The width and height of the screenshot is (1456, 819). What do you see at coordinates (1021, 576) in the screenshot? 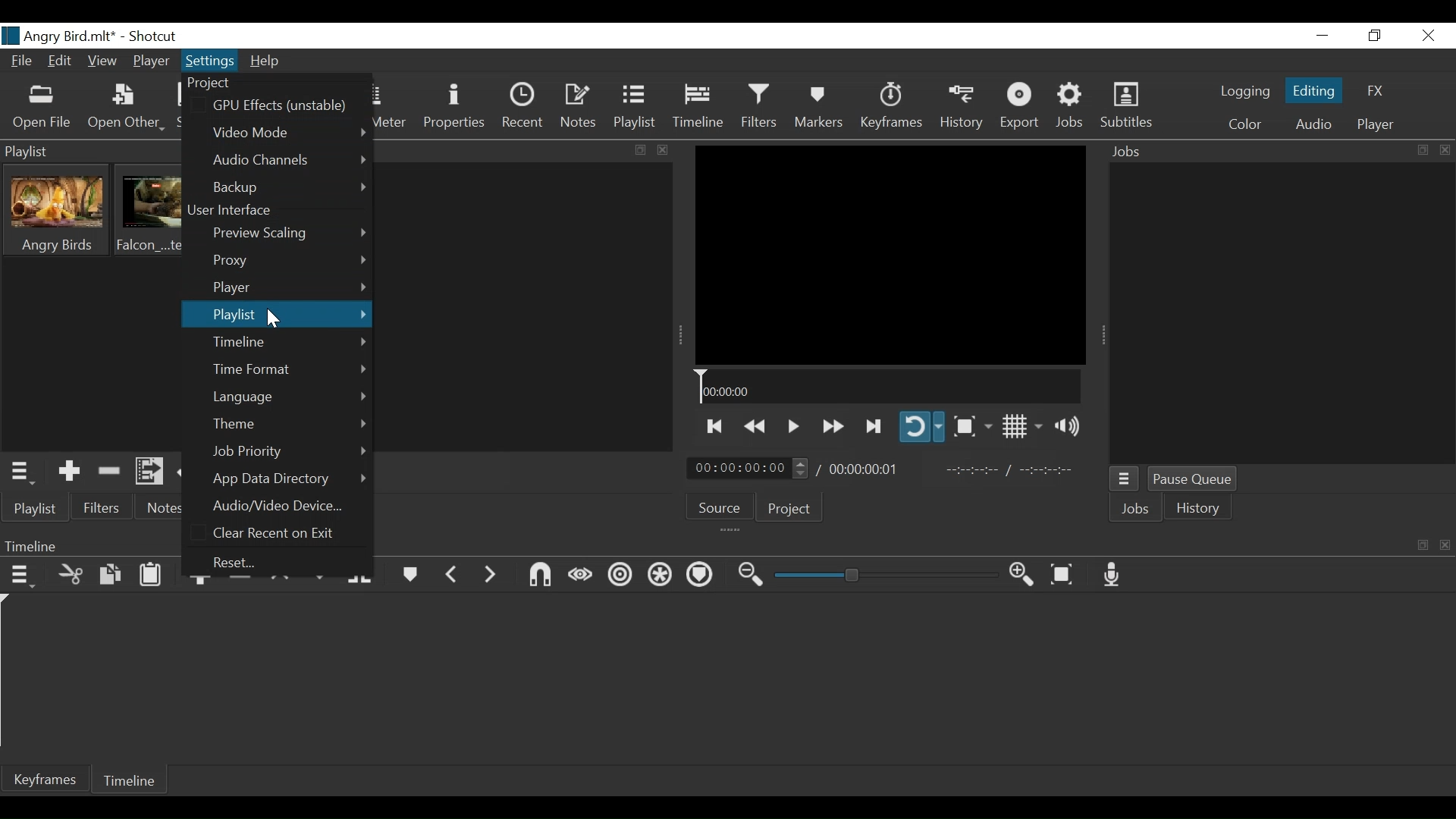
I see `Zoom timeline in` at bounding box center [1021, 576].